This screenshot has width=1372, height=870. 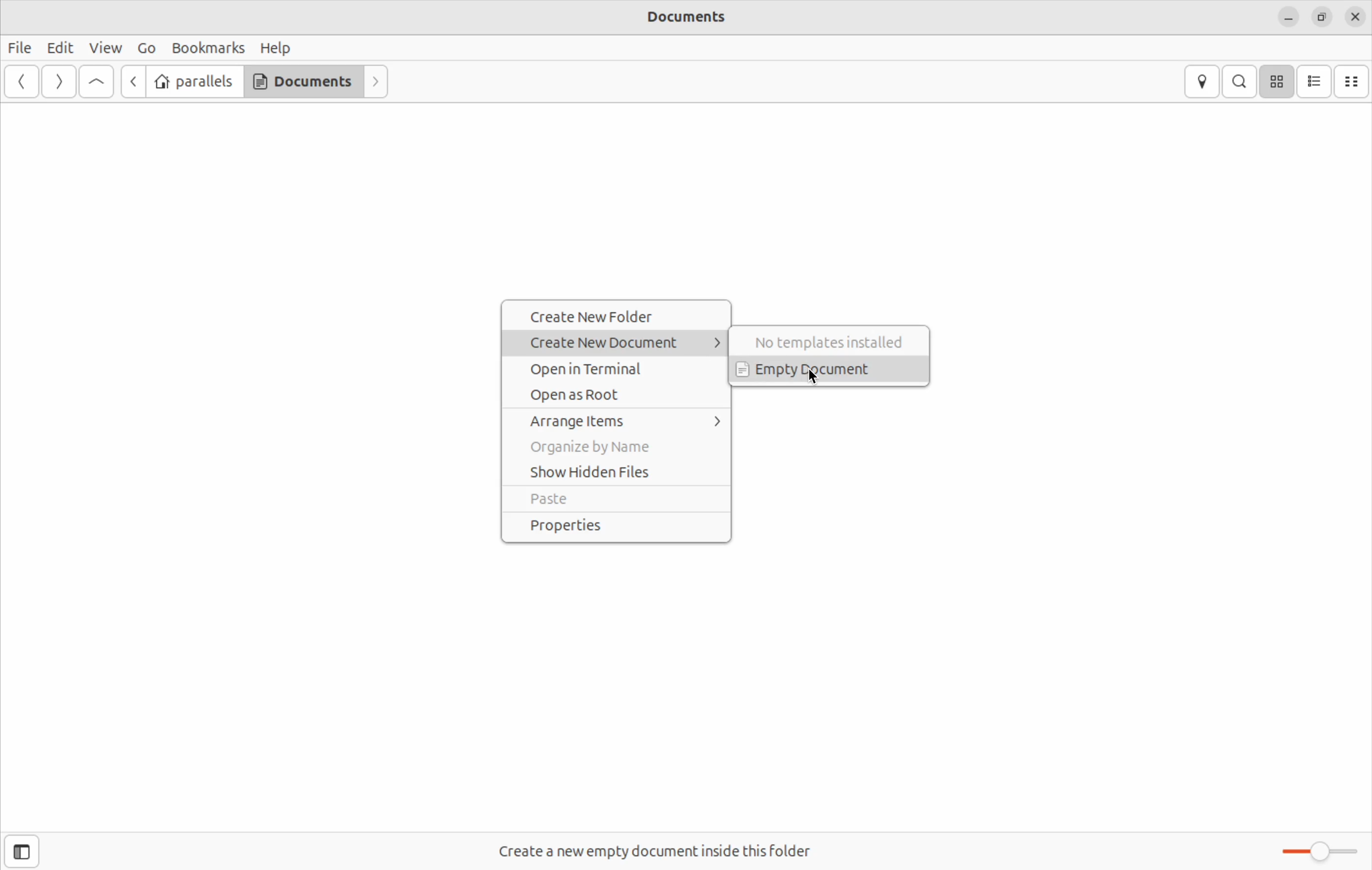 I want to click on parallels, so click(x=194, y=82).